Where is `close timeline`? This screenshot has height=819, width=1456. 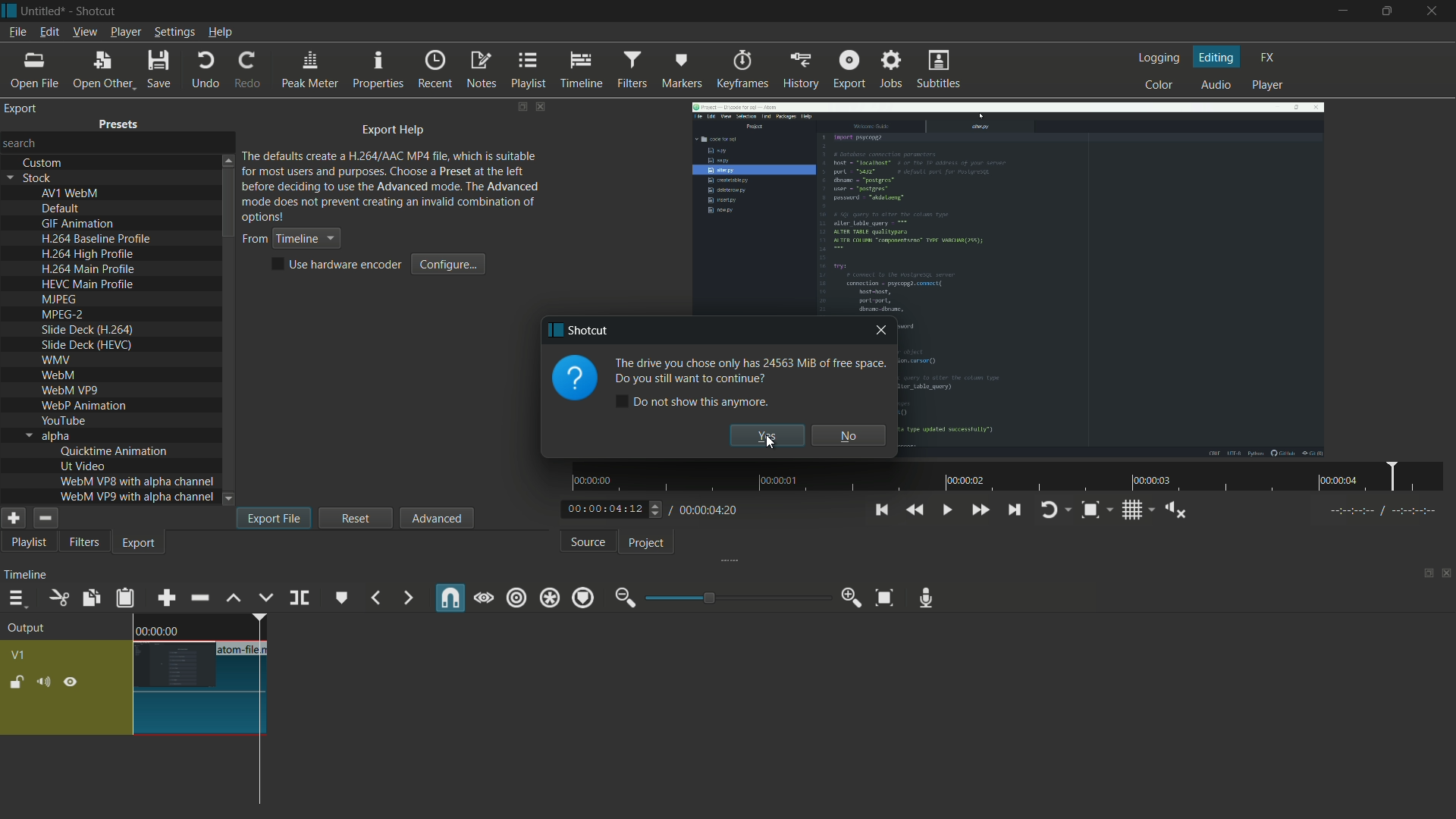 close timeline is located at coordinates (1447, 574).